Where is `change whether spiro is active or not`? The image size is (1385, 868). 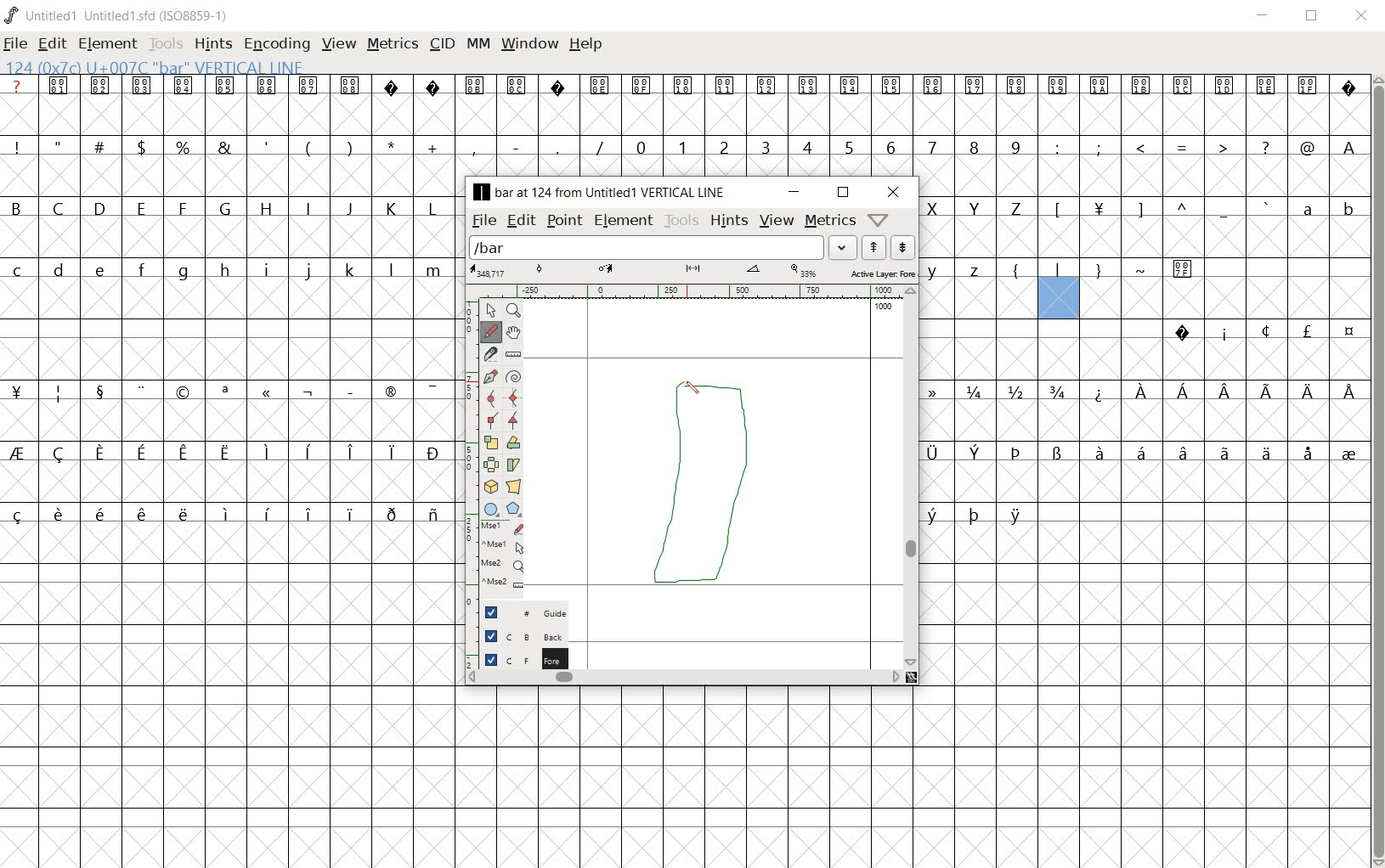
change whether spiro is active or not is located at coordinates (512, 375).